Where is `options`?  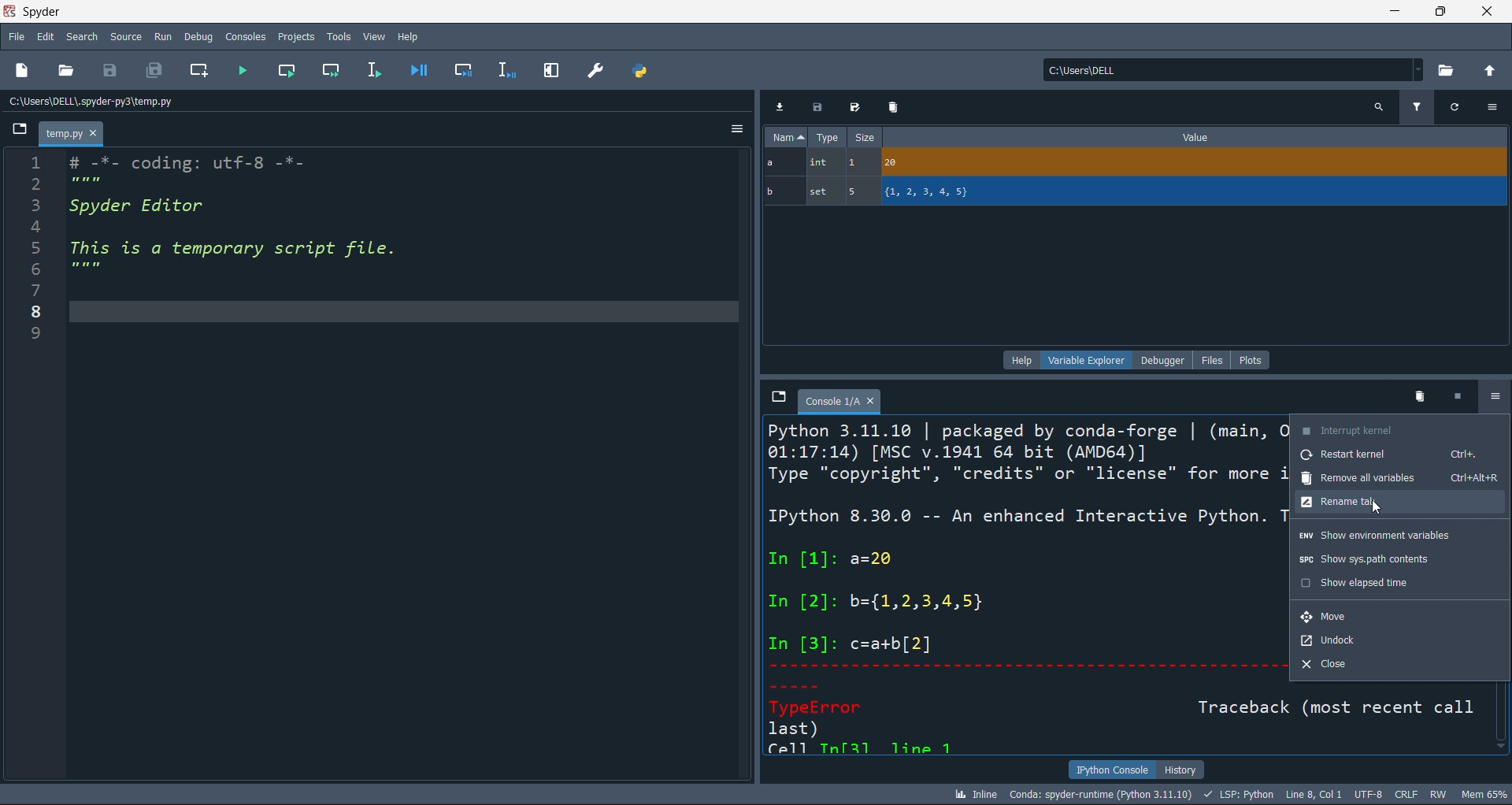 options is located at coordinates (735, 132).